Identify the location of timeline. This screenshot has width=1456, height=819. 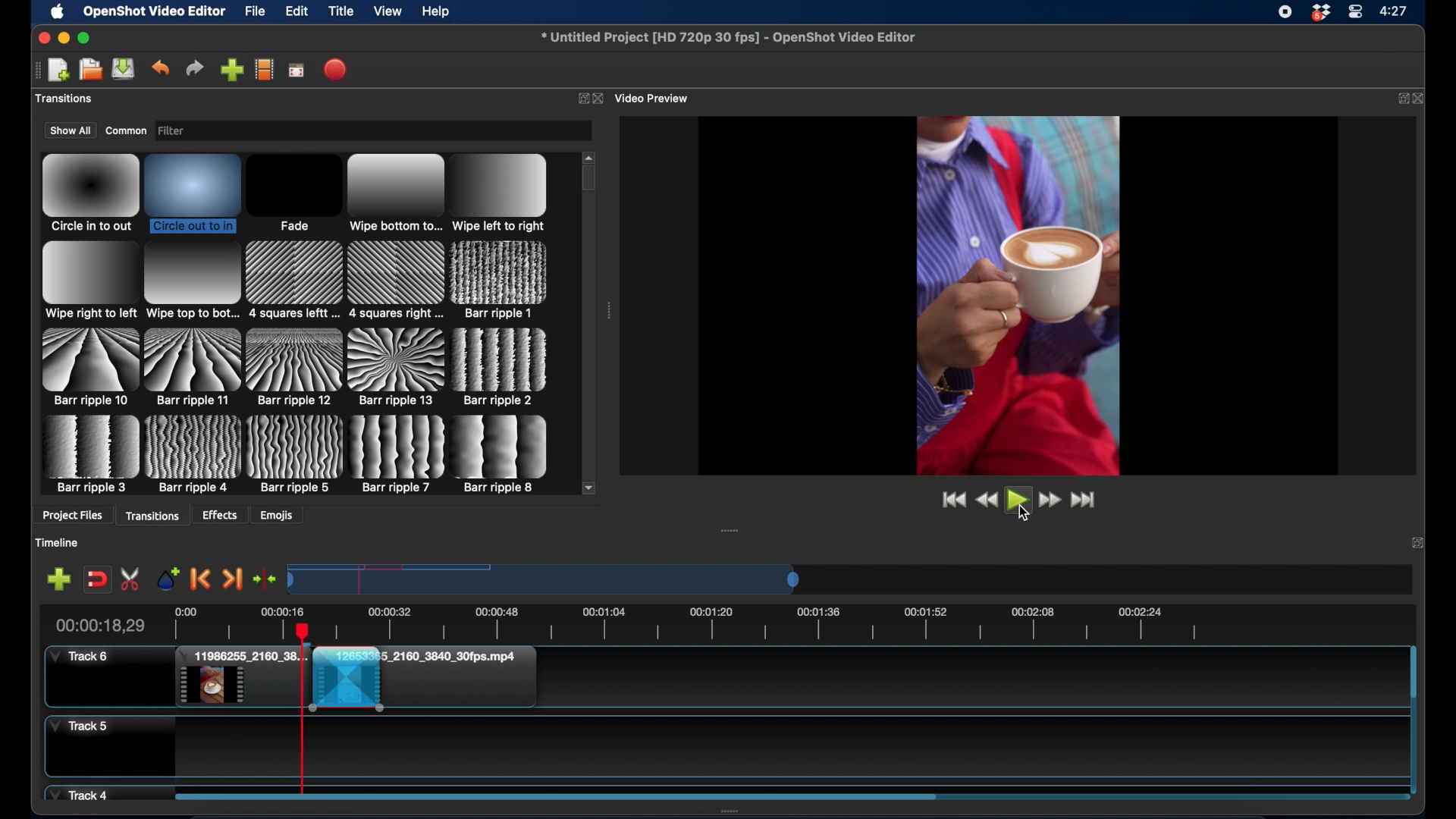
(751, 621).